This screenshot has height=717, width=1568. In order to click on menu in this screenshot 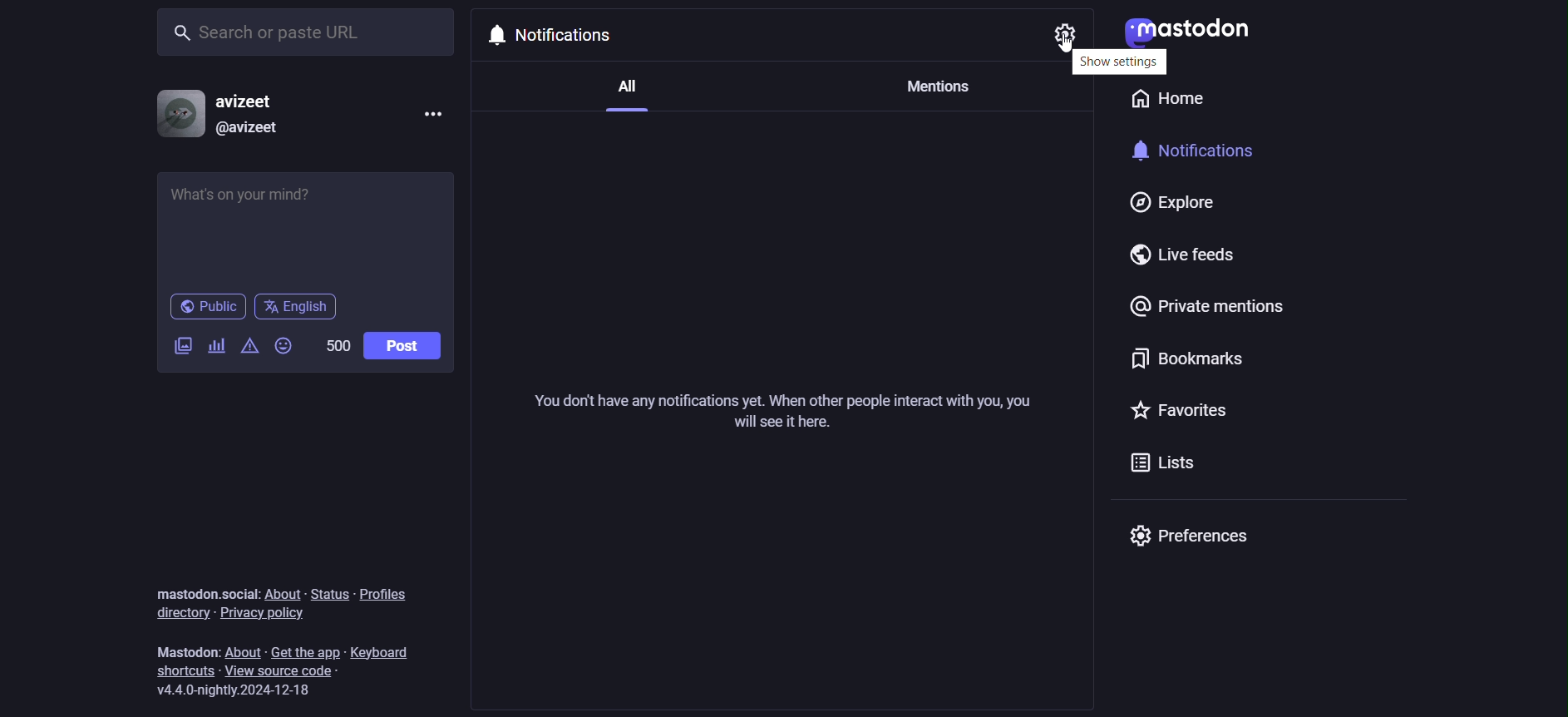, I will do `click(431, 111)`.